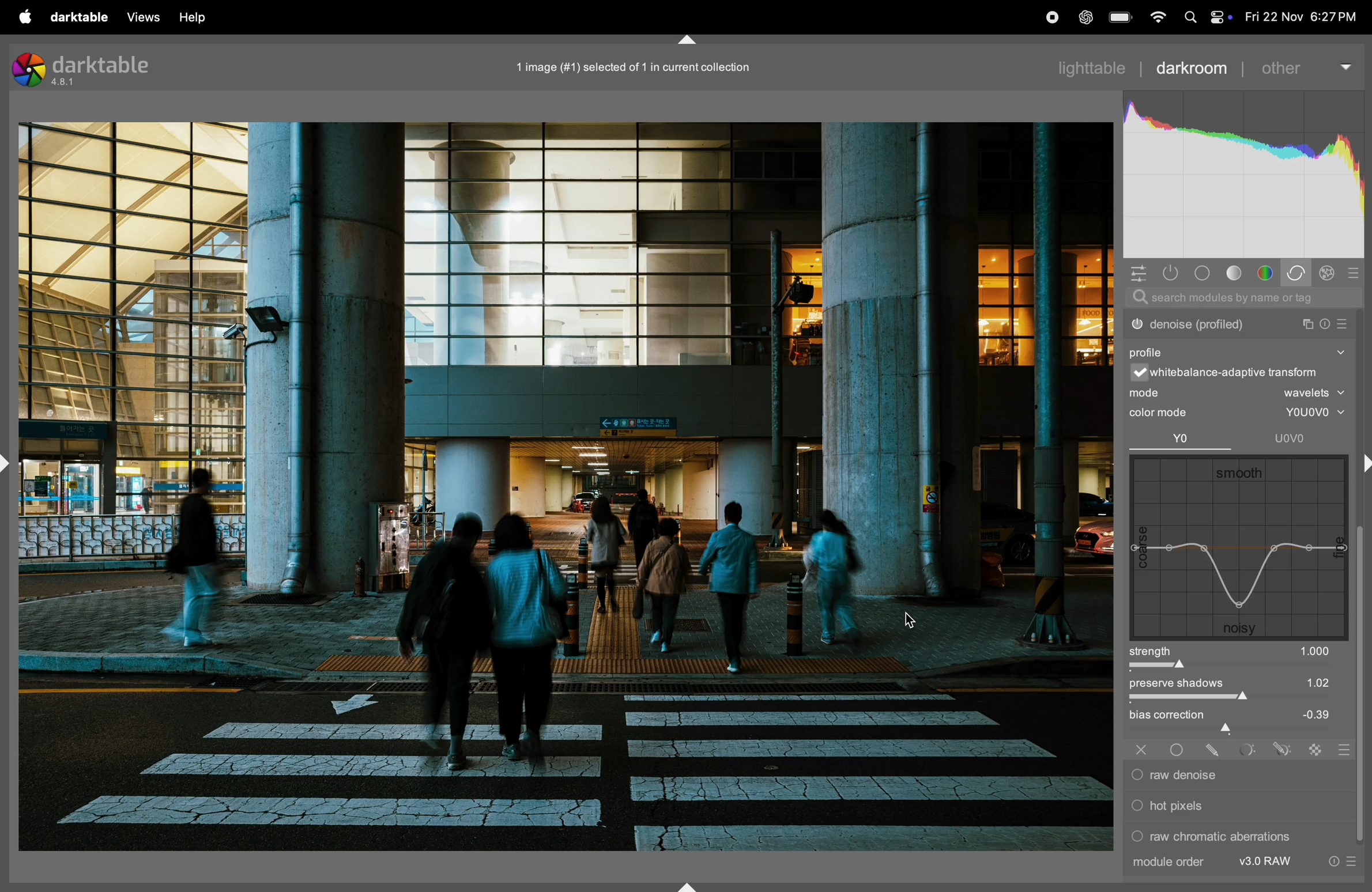 Image resolution: width=1372 pixels, height=892 pixels. Describe the element at coordinates (566, 487) in the screenshot. I see `Image` at that location.